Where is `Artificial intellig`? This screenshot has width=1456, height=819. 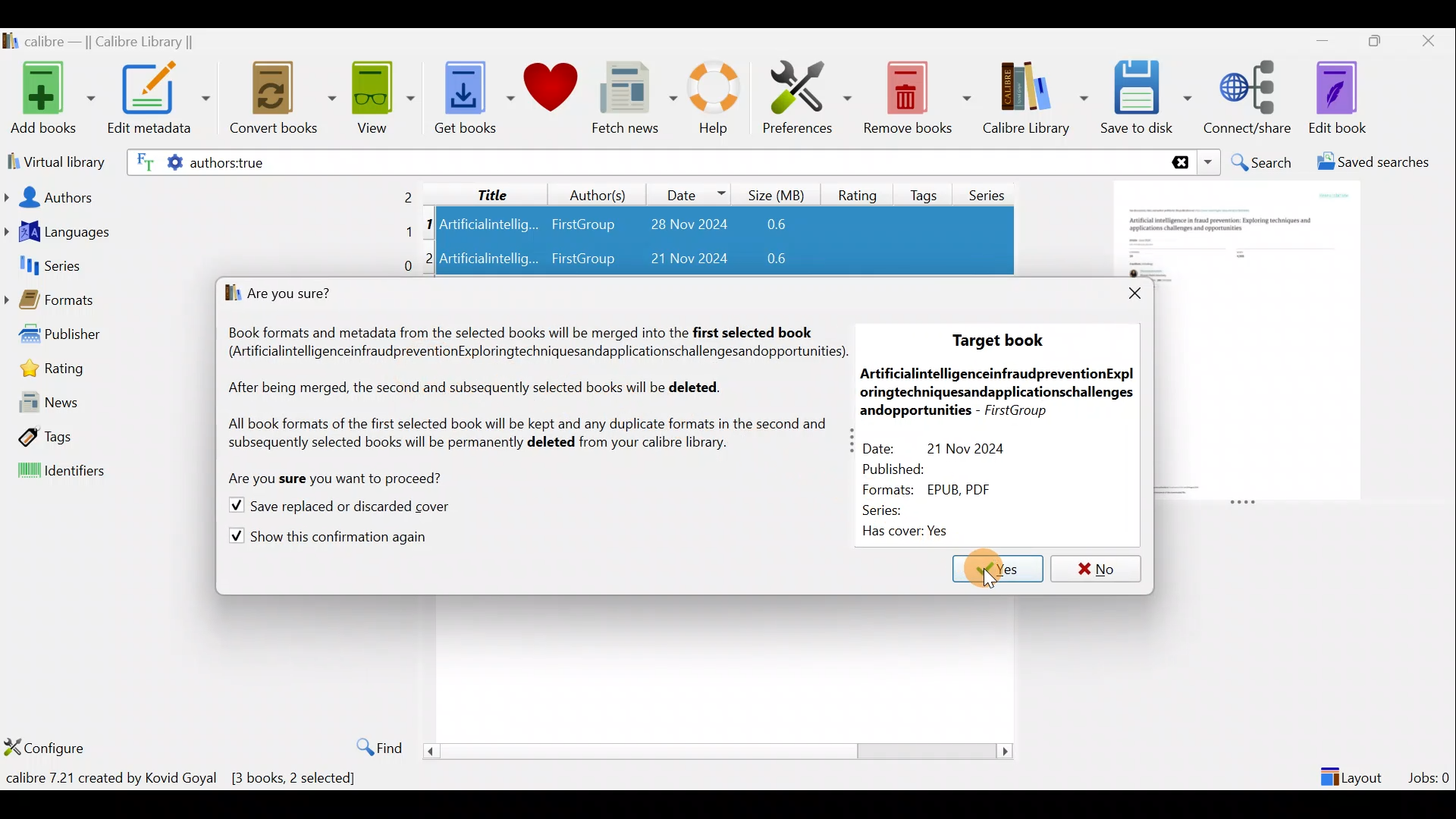
Artificial intellig is located at coordinates (491, 260).